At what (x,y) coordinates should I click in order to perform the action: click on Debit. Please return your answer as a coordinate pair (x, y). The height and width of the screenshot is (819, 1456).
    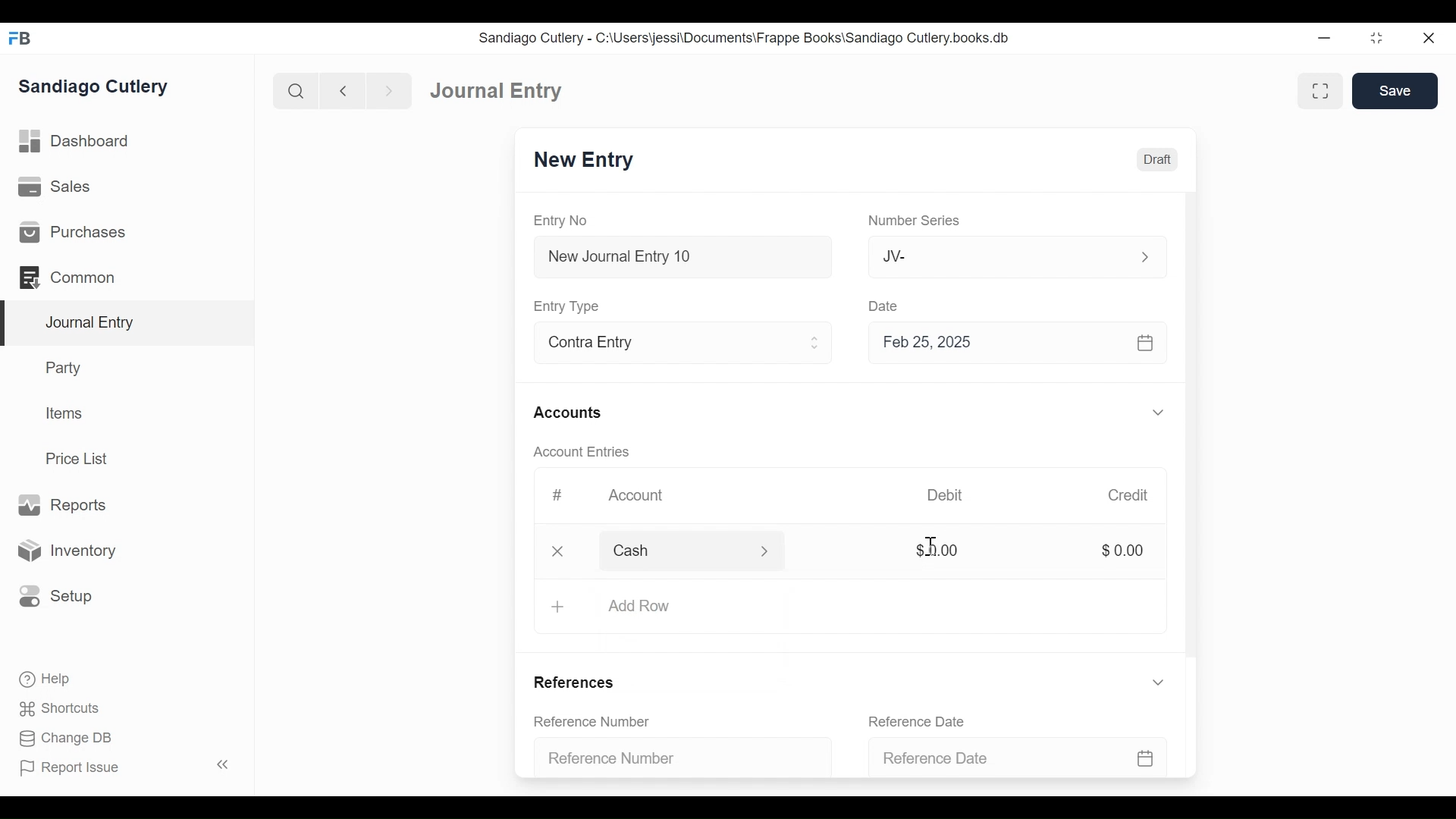
    Looking at the image, I should click on (951, 495).